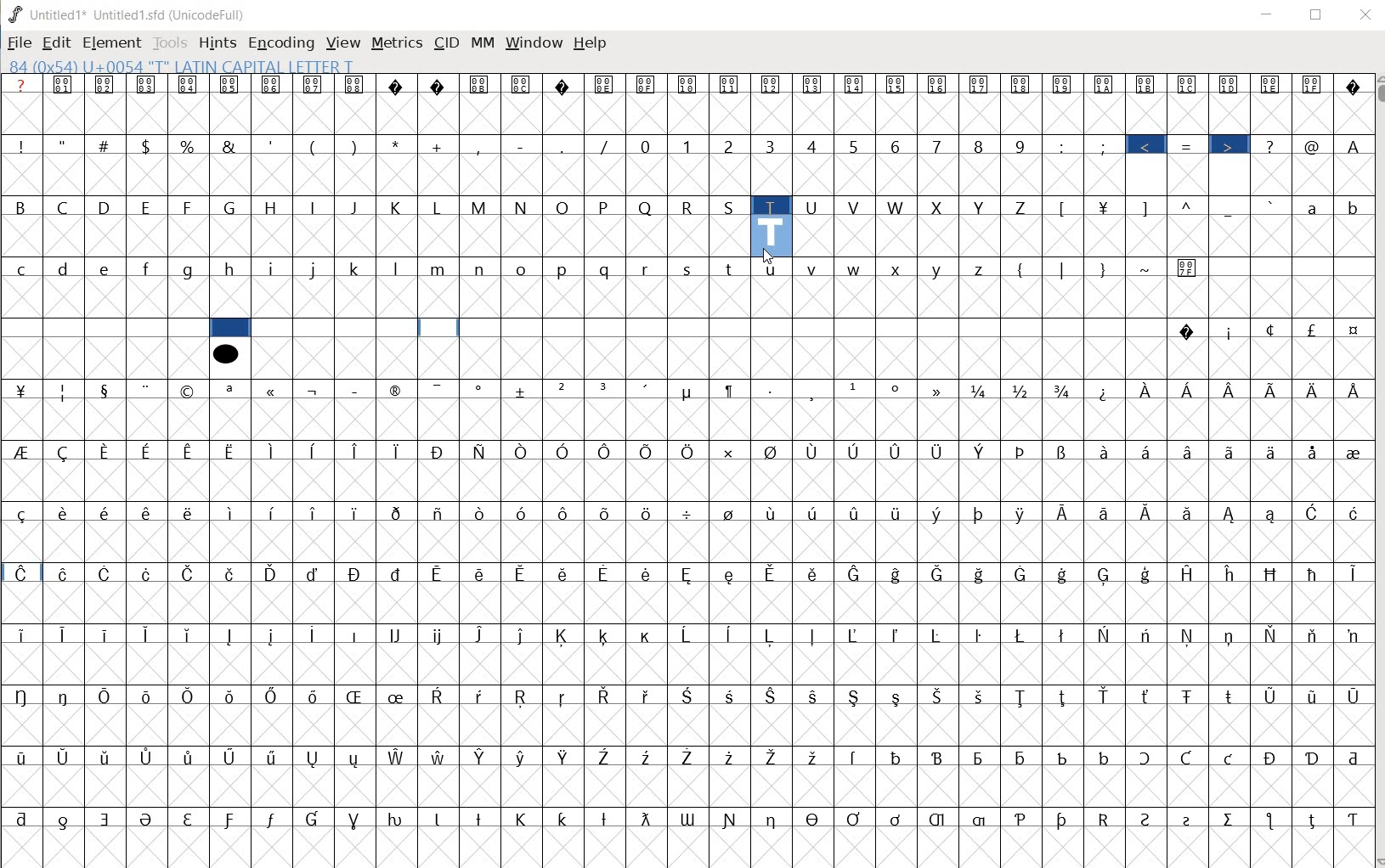 Image resolution: width=1385 pixels, height=868 pixels. What do you see at coordinates (441, 86) in the screenshot?
I see `Symbol` at bounding box center [441, 86].